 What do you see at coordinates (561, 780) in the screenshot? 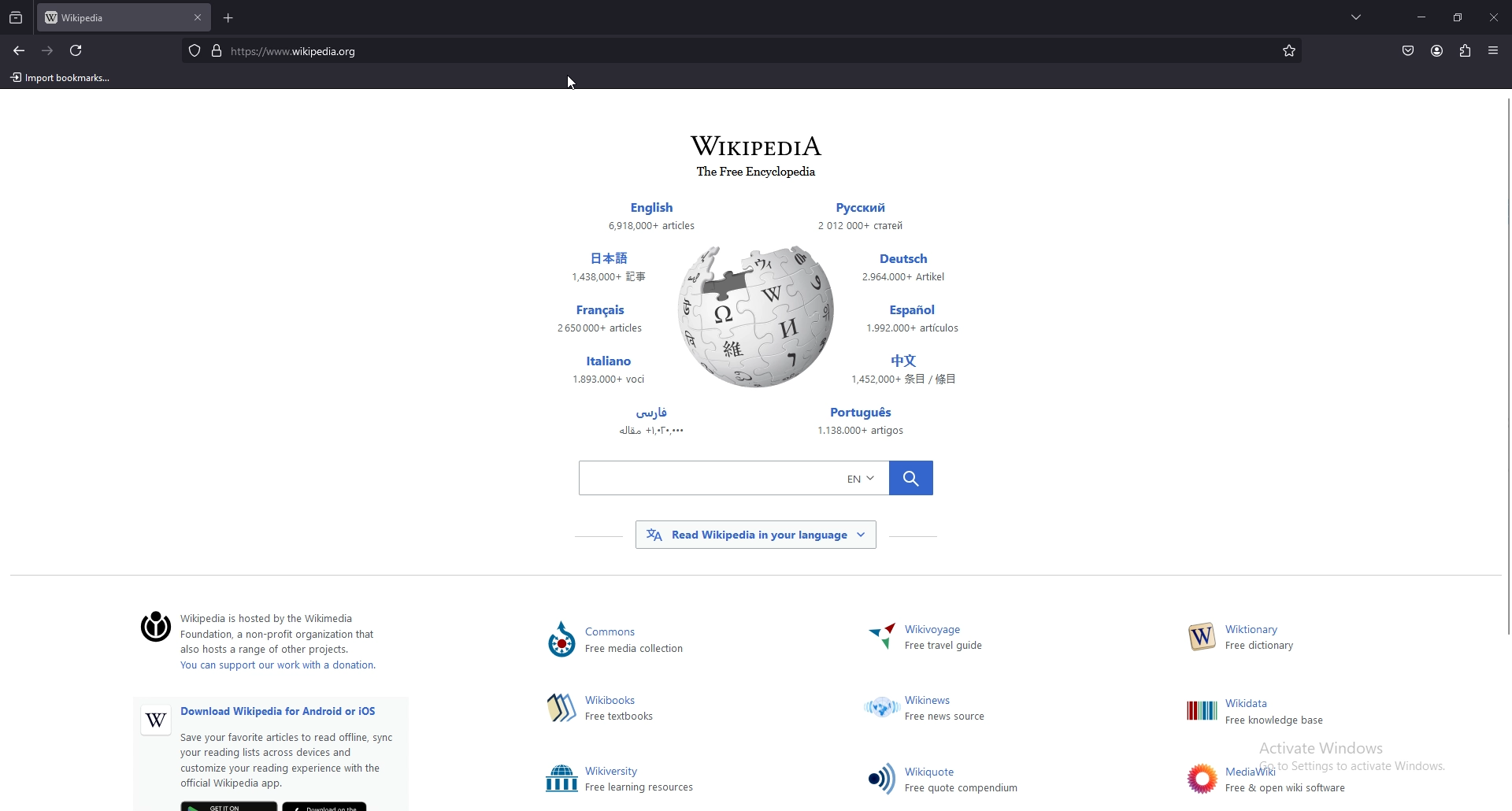
I see `` at bounding box center [561, 780].